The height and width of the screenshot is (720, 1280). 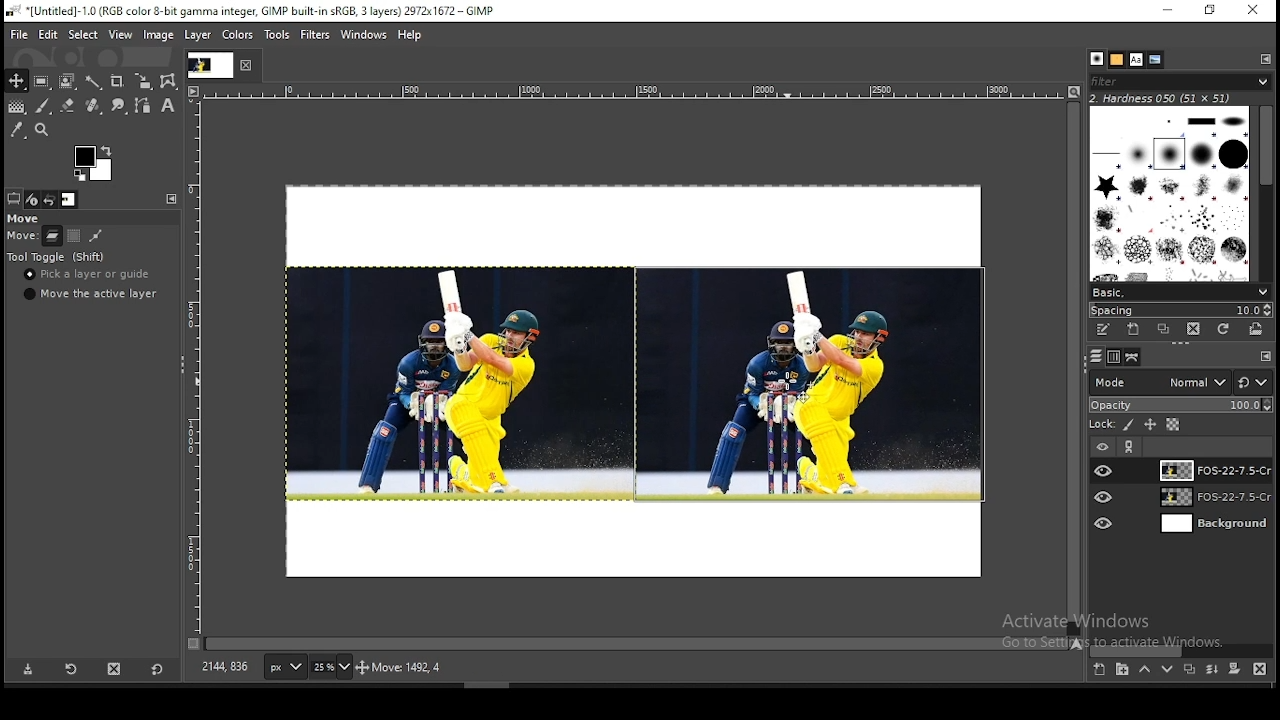 I want to click on blend mode, so click(x=1180, y=382).